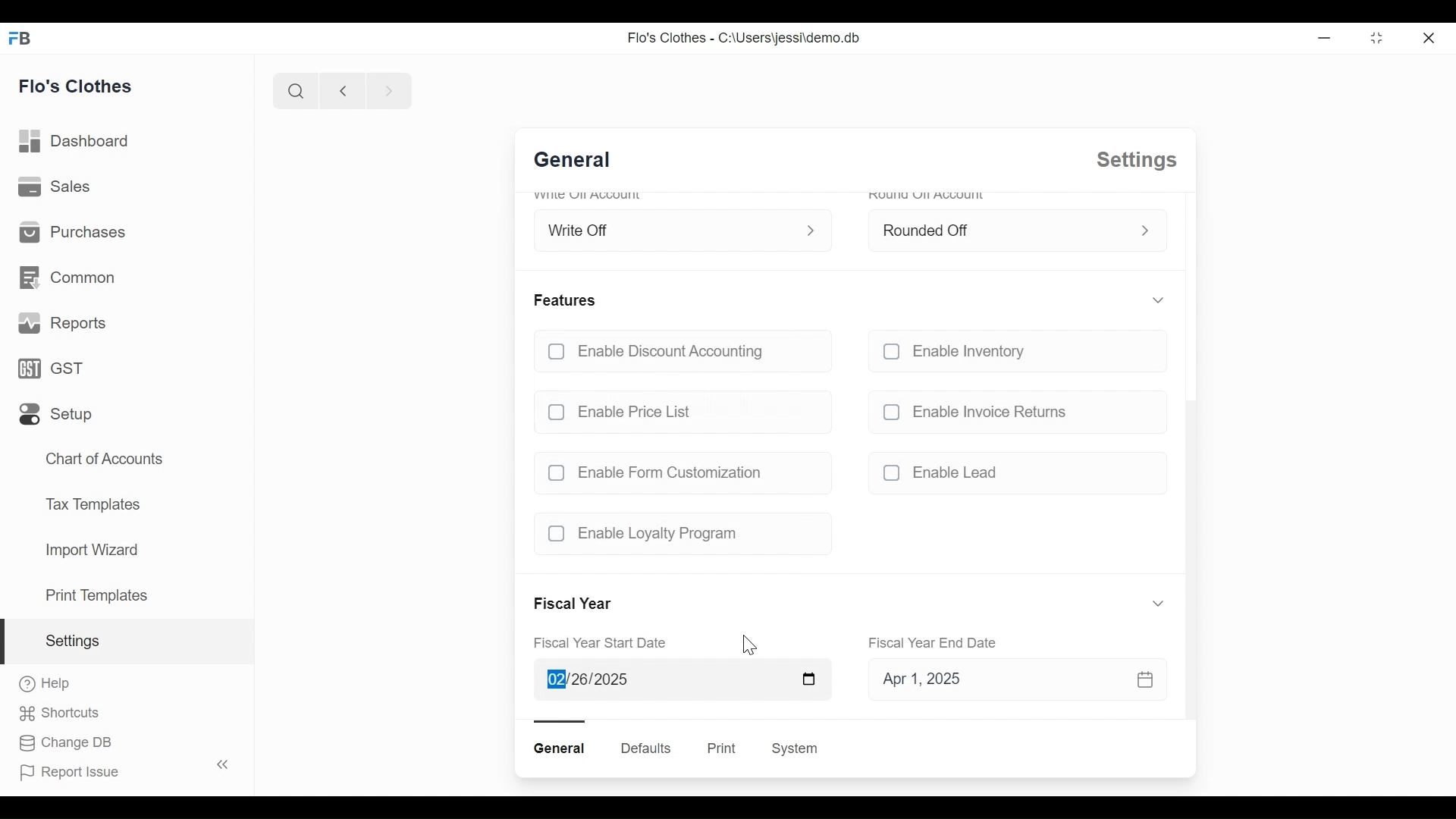 This screenshot has height=819, width=1456. I want to click on Close, so click(1431, 36).